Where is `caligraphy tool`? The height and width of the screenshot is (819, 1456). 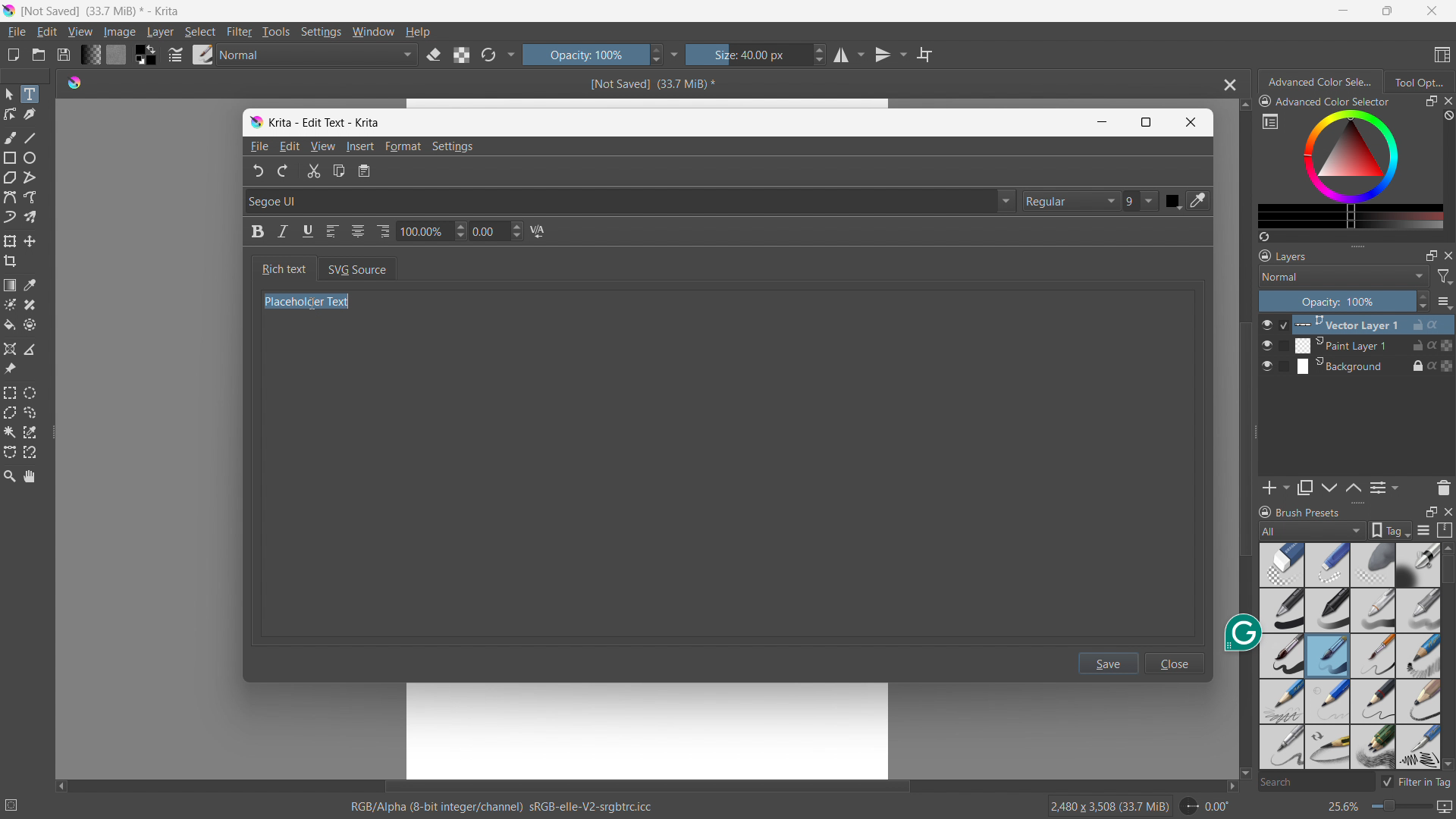
caligraphy tool is located at coordinates (30, 115).